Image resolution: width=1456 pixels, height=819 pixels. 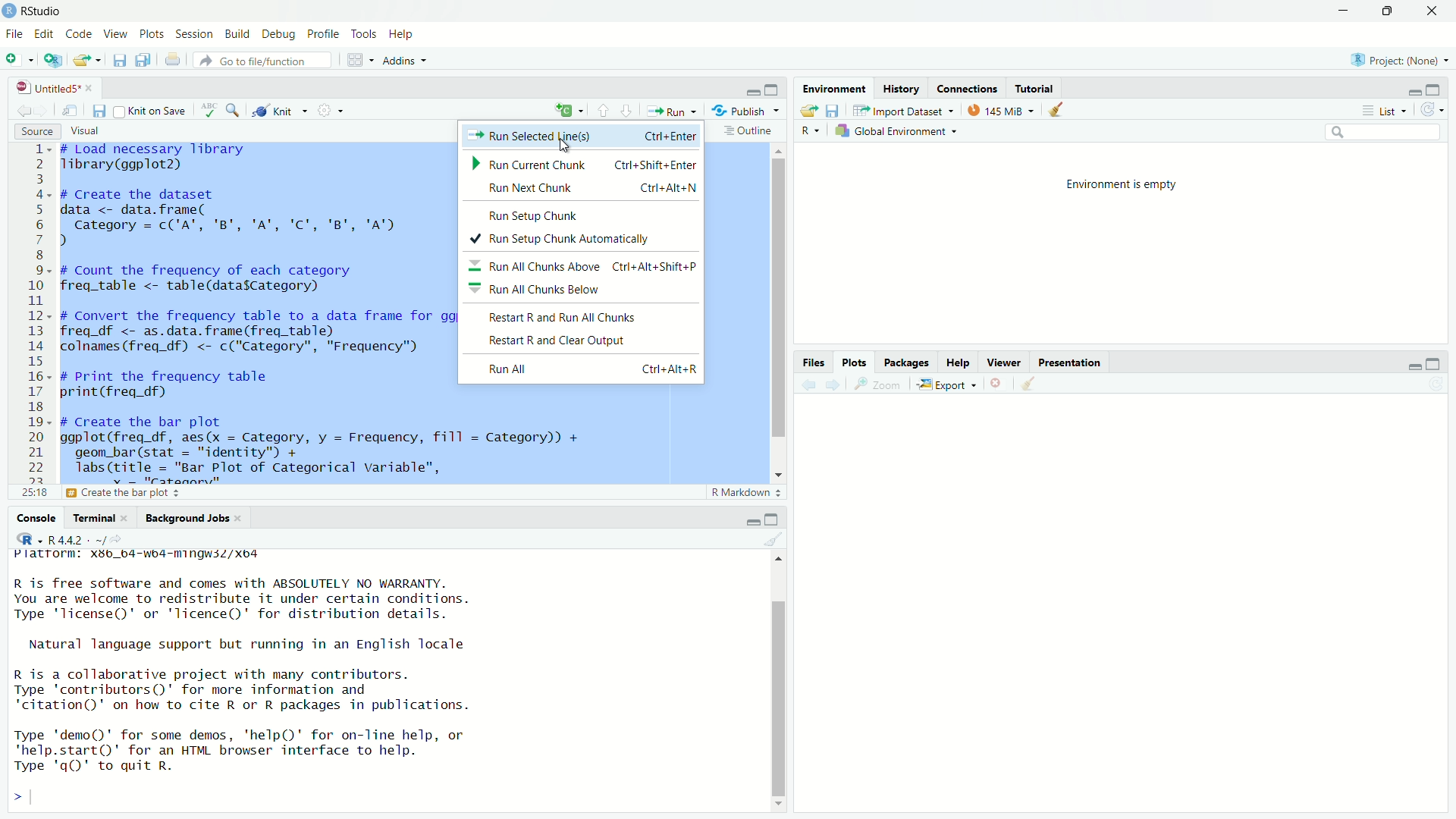 What do you see at coordinates (9, 11) in the screenshot?
I see `app icon` at bounding box center [9, 11].